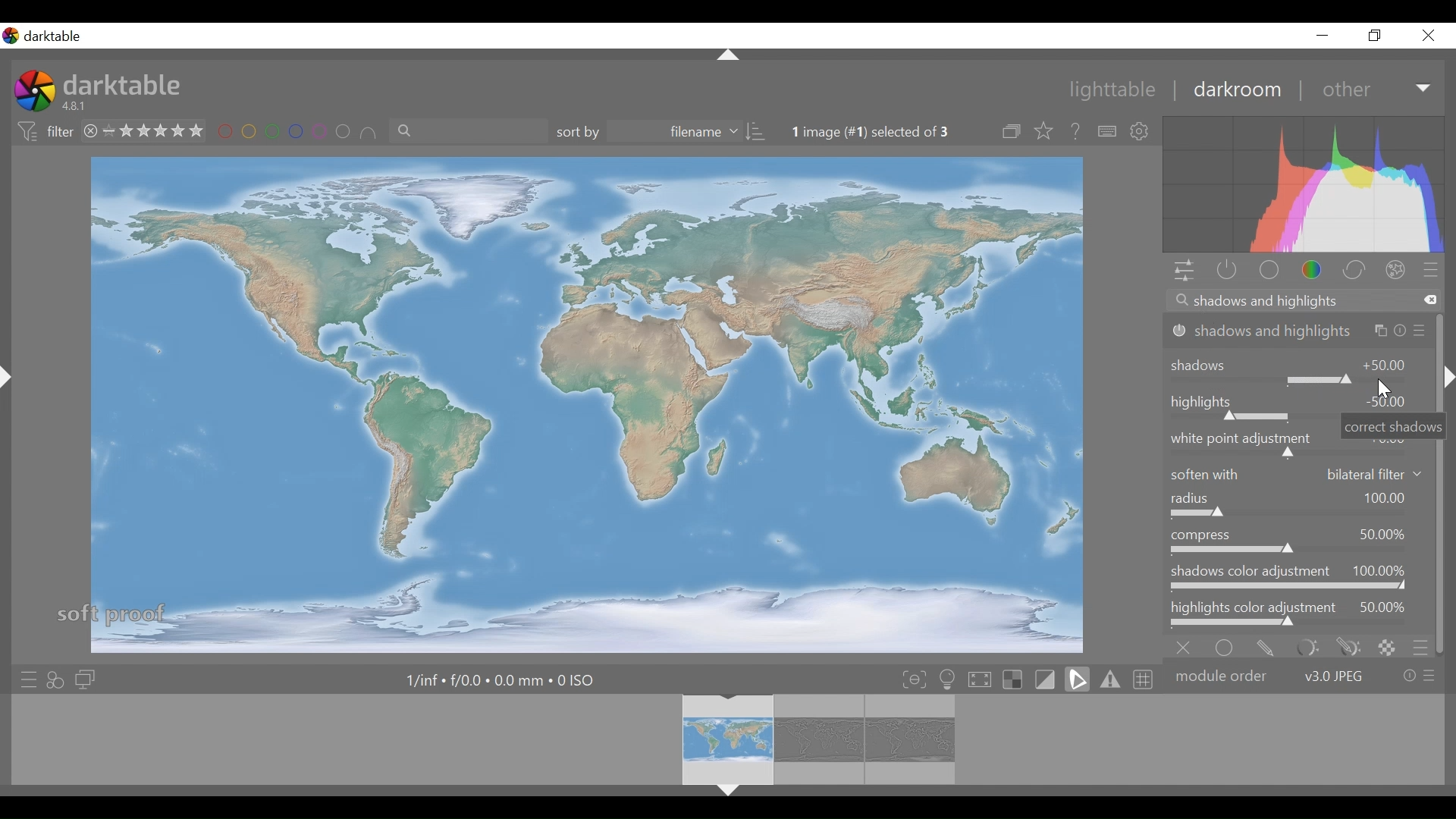 This screenshot has height=819, width=1456. What do you see at coordinates (1075, 131) in the screenshot?
I see `help` at bounding box center [1075, 131].